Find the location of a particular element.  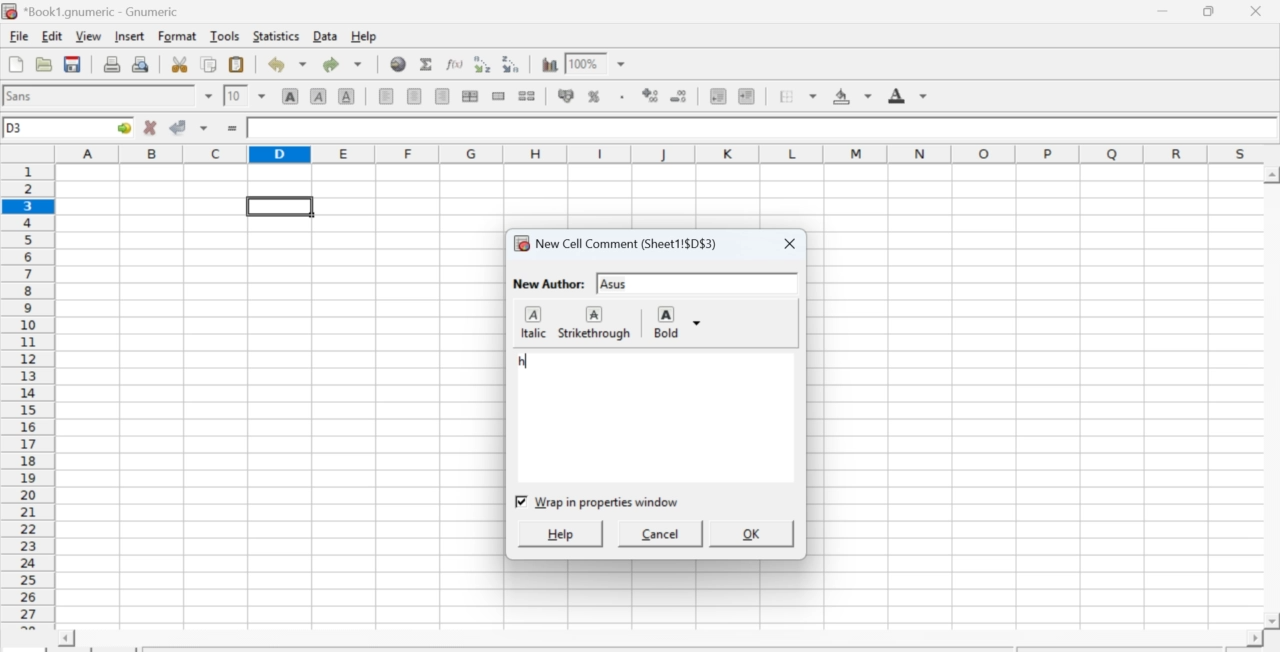

Edit function is located at coordinates (454, 67).